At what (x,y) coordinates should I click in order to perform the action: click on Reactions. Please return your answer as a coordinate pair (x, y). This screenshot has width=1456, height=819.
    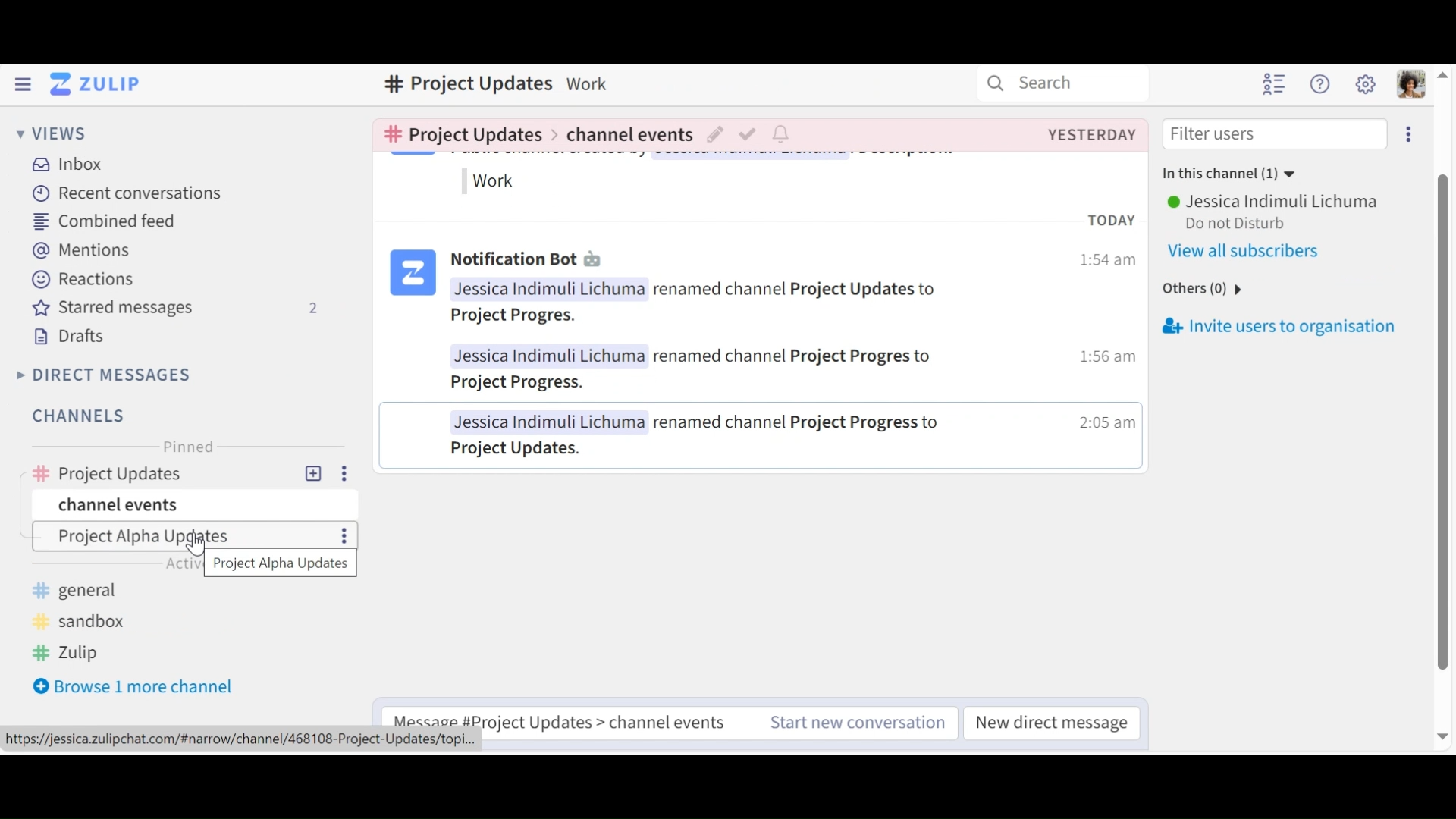
    Looking at the image, I should click on (83, 278).